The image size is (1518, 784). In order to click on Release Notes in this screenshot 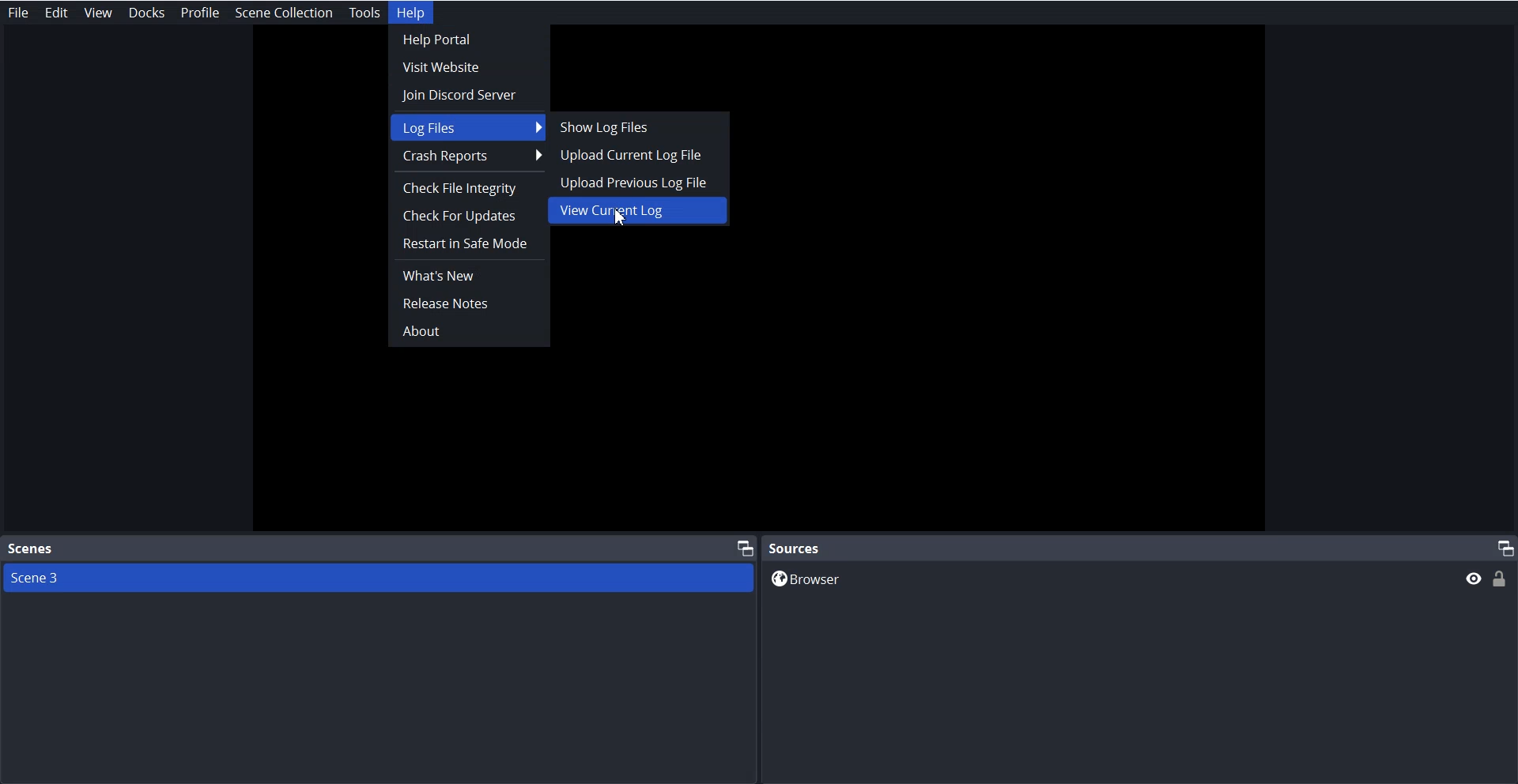, I will do `click(468, 303)`.